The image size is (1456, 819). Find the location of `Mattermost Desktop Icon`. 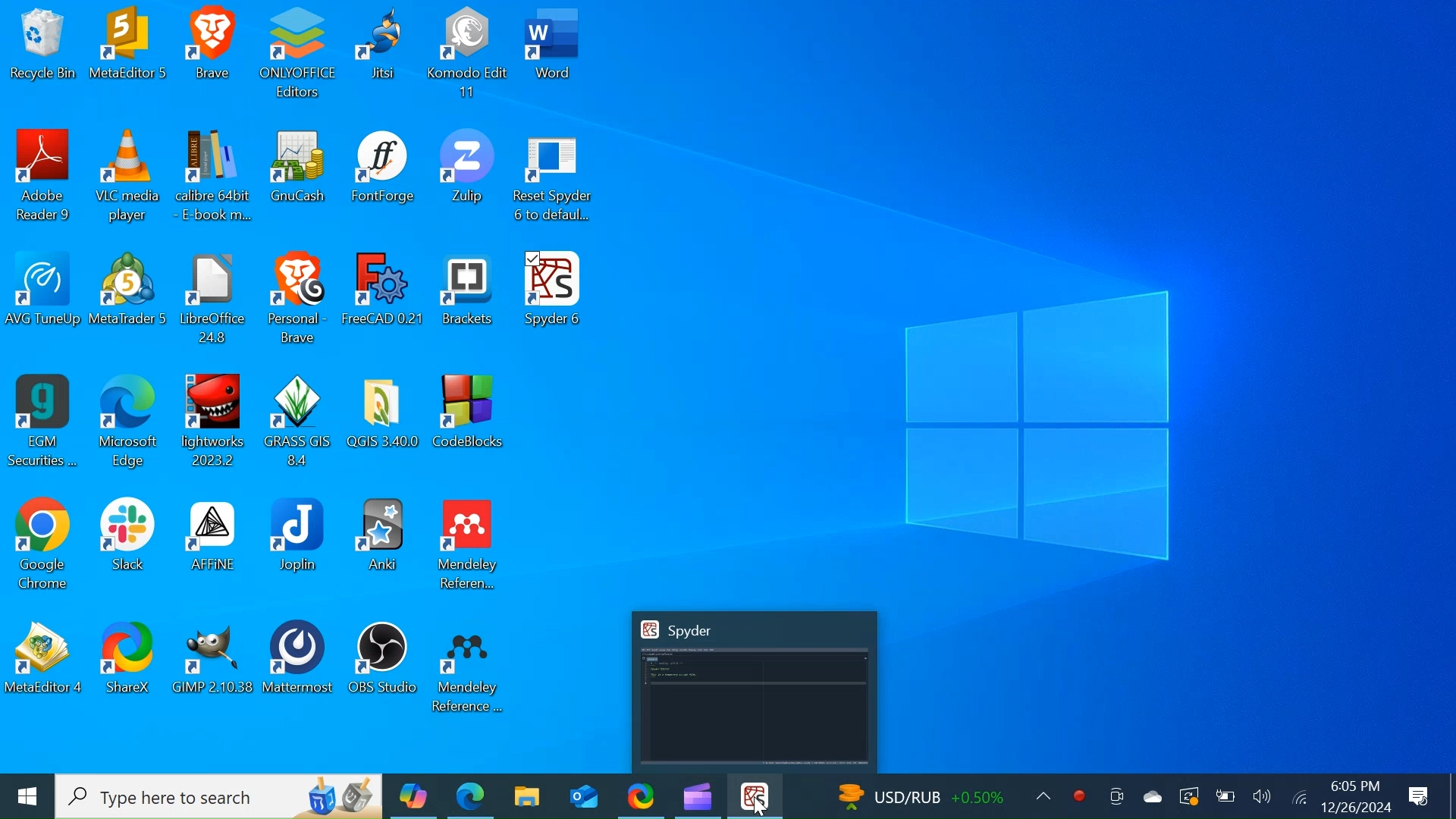

Mattermost Desktop Icon is located at coordinates (300, 664).